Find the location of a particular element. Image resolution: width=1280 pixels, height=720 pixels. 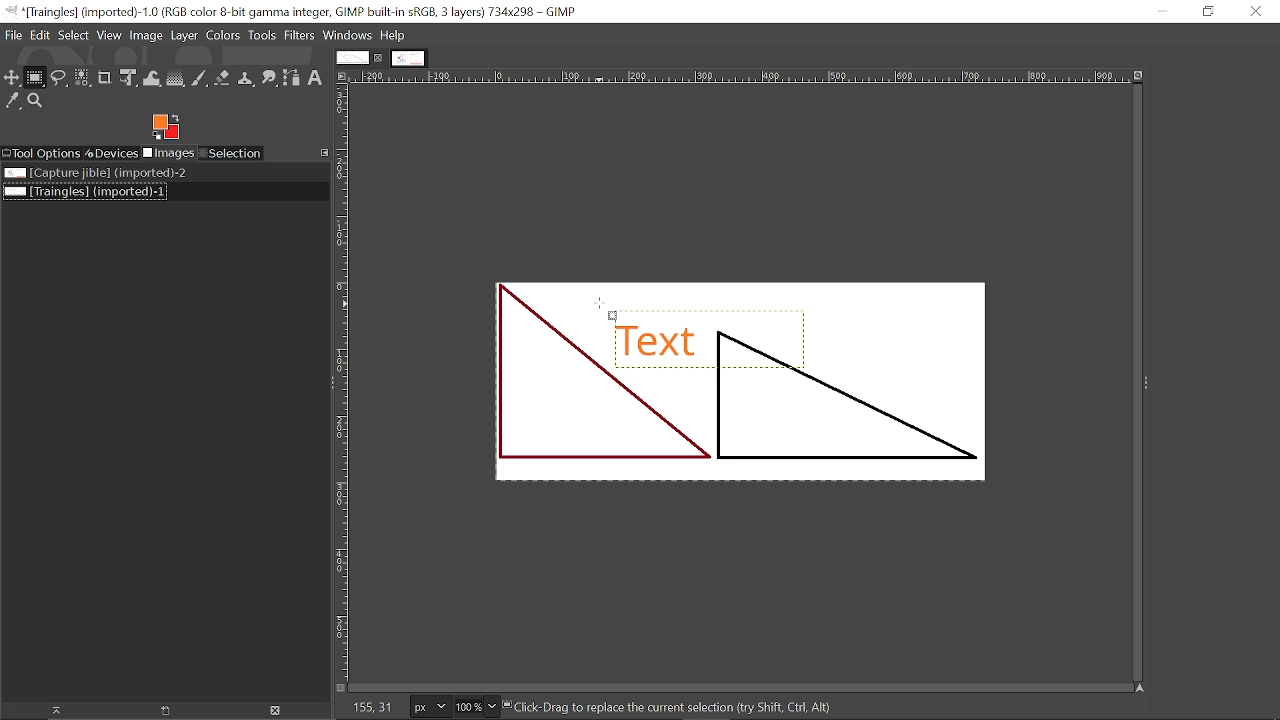

Paintbrush tool is located at coordinates (201, 79).